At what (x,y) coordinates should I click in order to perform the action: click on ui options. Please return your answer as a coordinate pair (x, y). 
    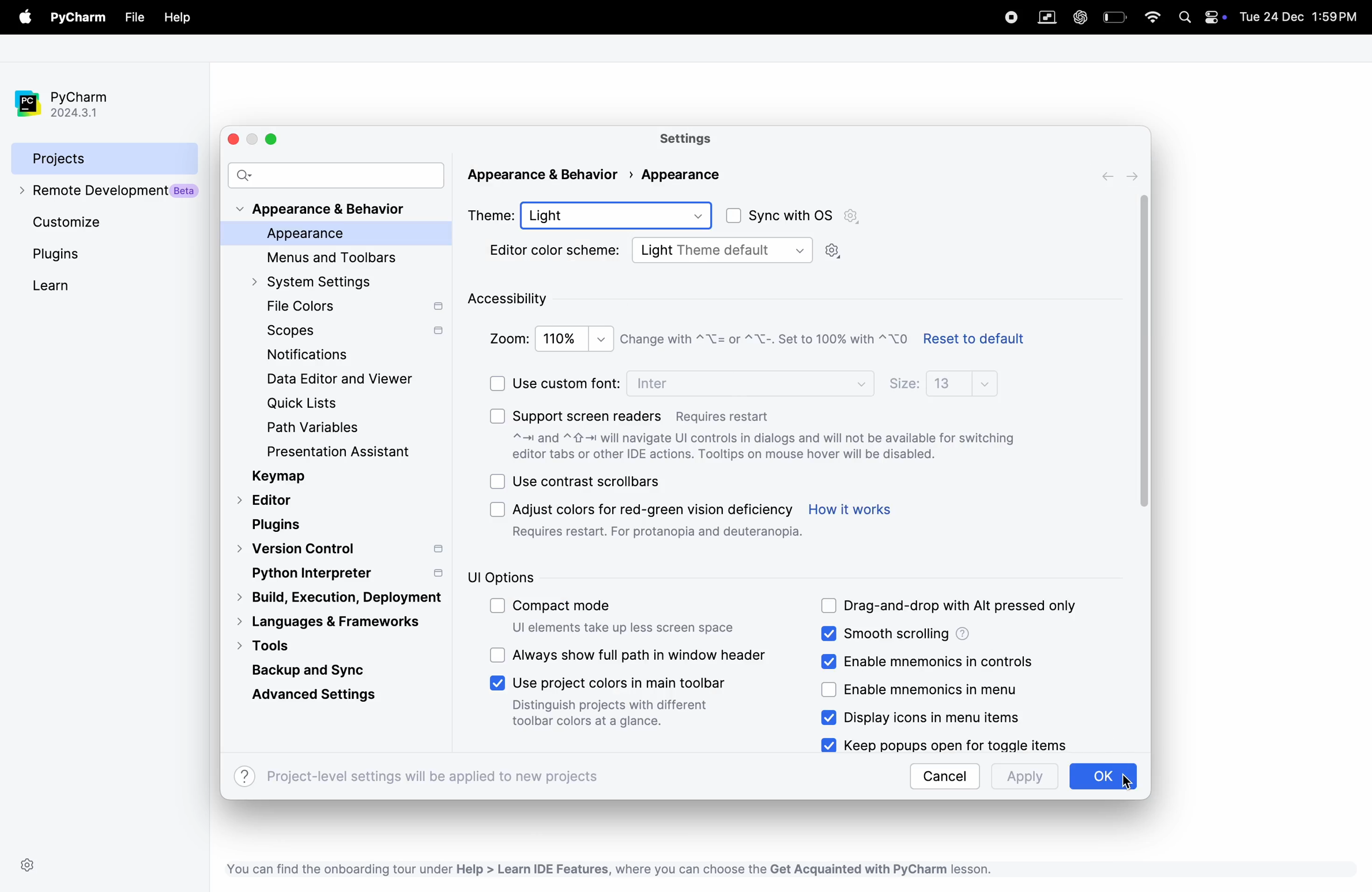
    Looking at the image, I should click on (504, 575).